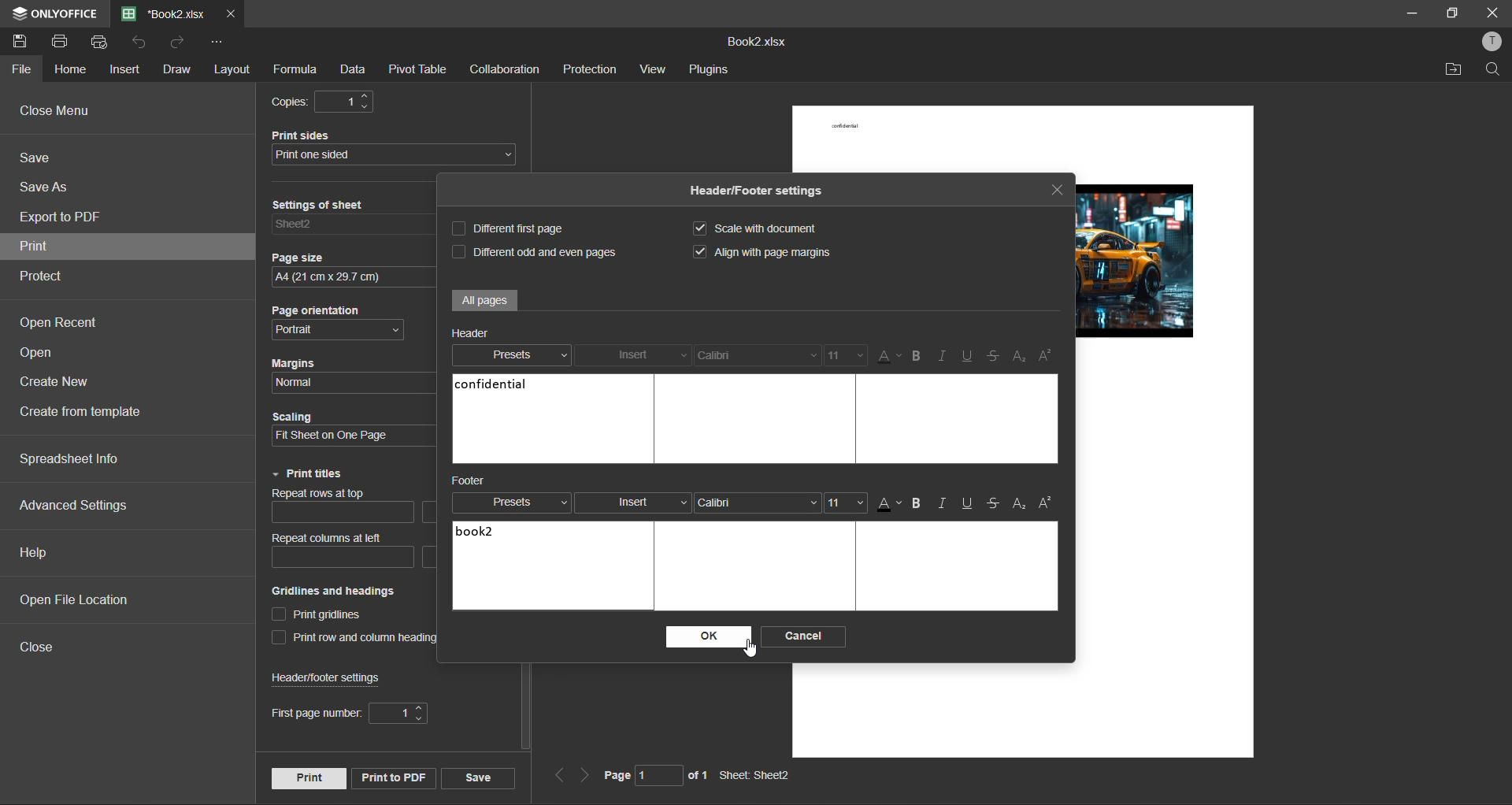 This screenshot has width=1512, height=805. Describe the element at coordinates (58, 319) in the screenshot. I see `open recent` at that location.